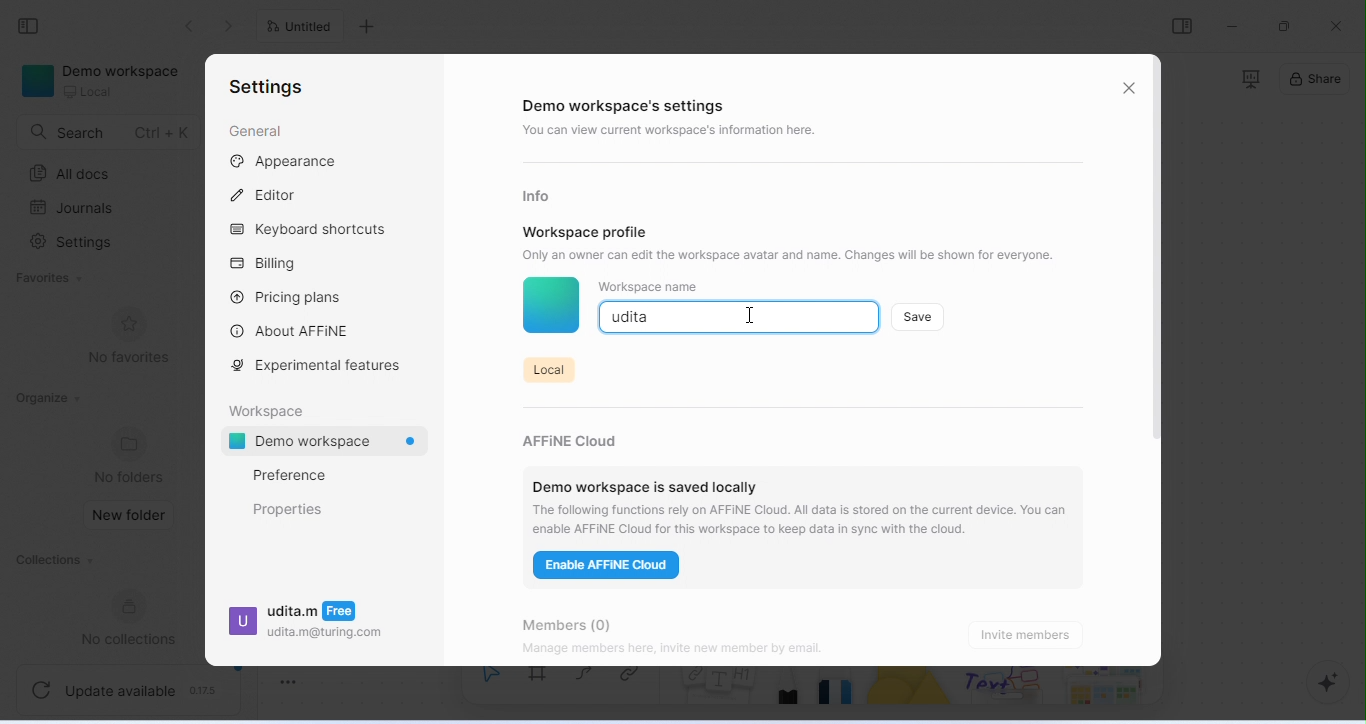  Describe the element at coordinates (1103, 688) in the screenshot. I see `arrows and more` at that location.